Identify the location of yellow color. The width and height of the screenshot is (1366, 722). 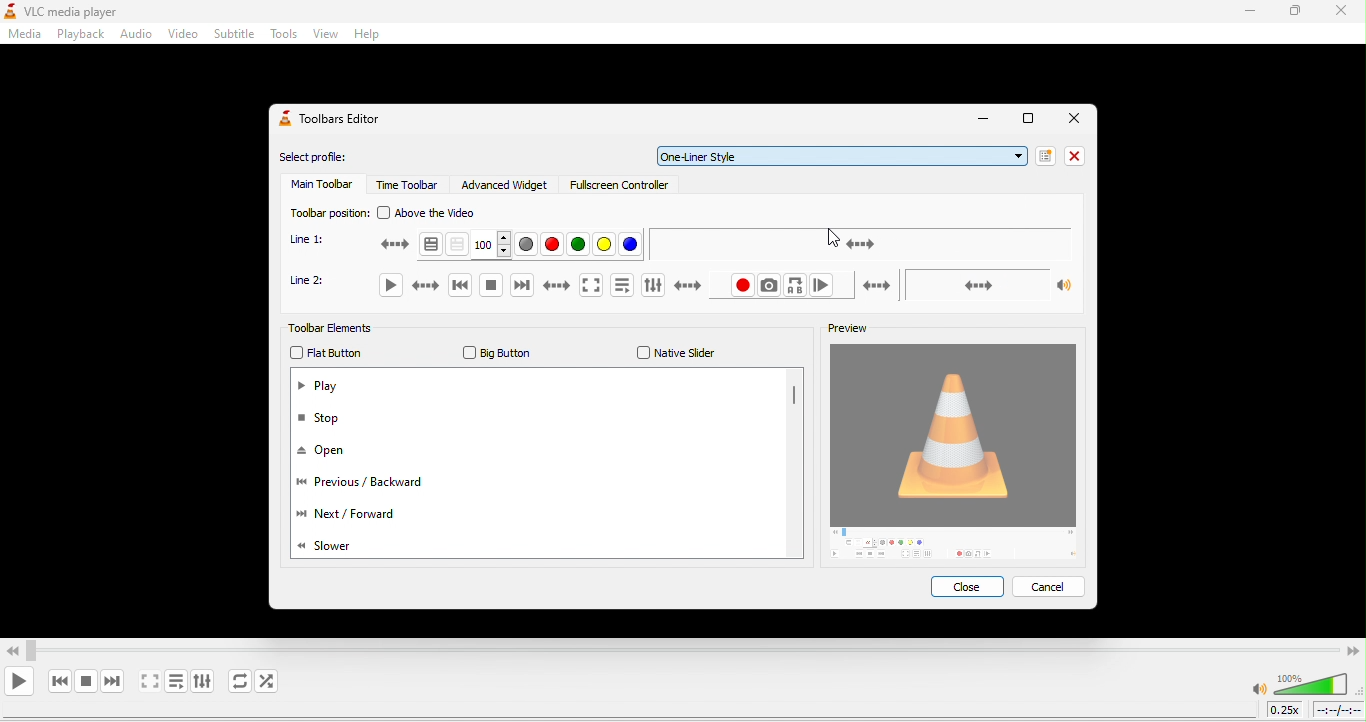
(603, 245).